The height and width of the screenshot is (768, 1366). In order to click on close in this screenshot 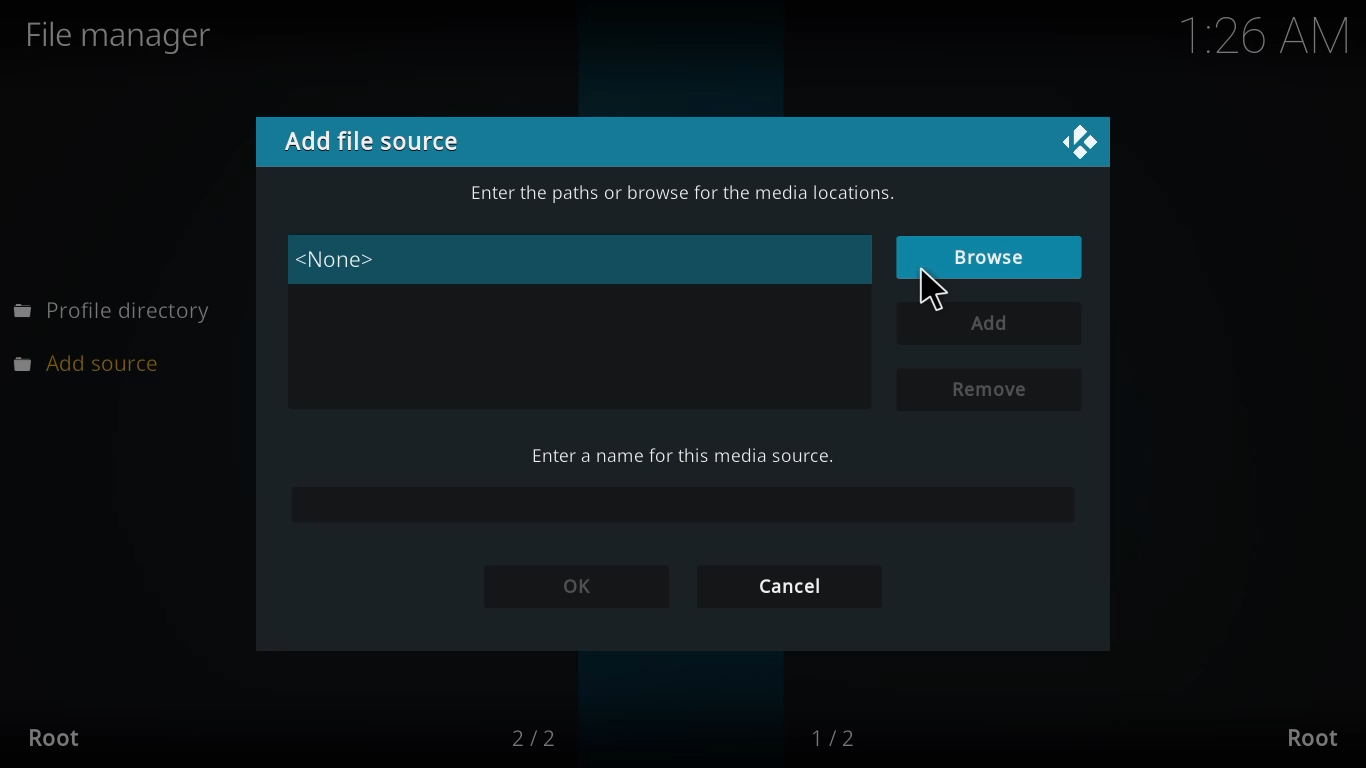, I will do `click(1078, 138)`.